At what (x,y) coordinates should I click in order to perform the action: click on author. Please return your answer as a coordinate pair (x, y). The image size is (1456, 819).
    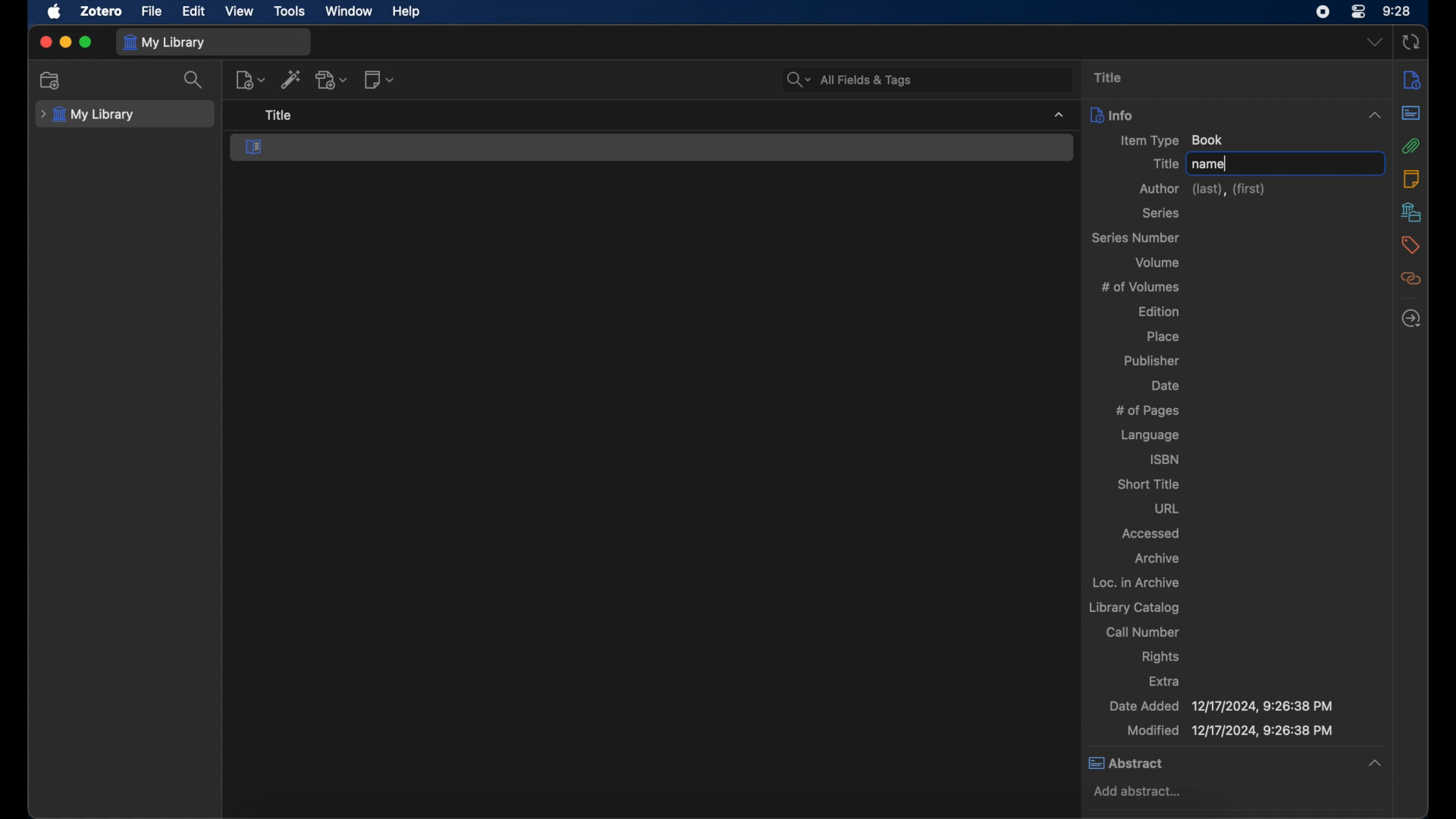
    Looking at the image, I should click on (1203, 189).